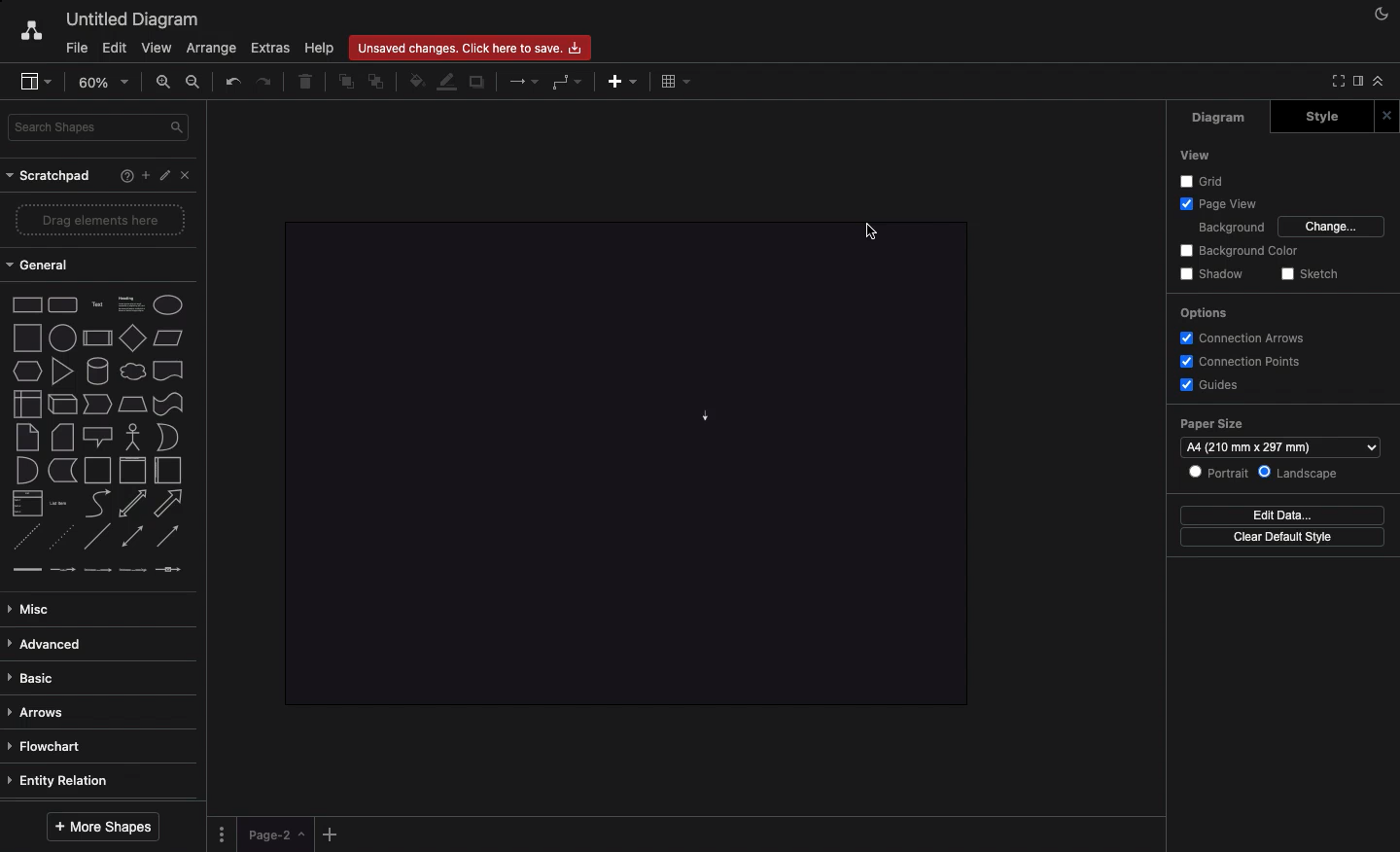  I want to click on Add, so click(622, 81).